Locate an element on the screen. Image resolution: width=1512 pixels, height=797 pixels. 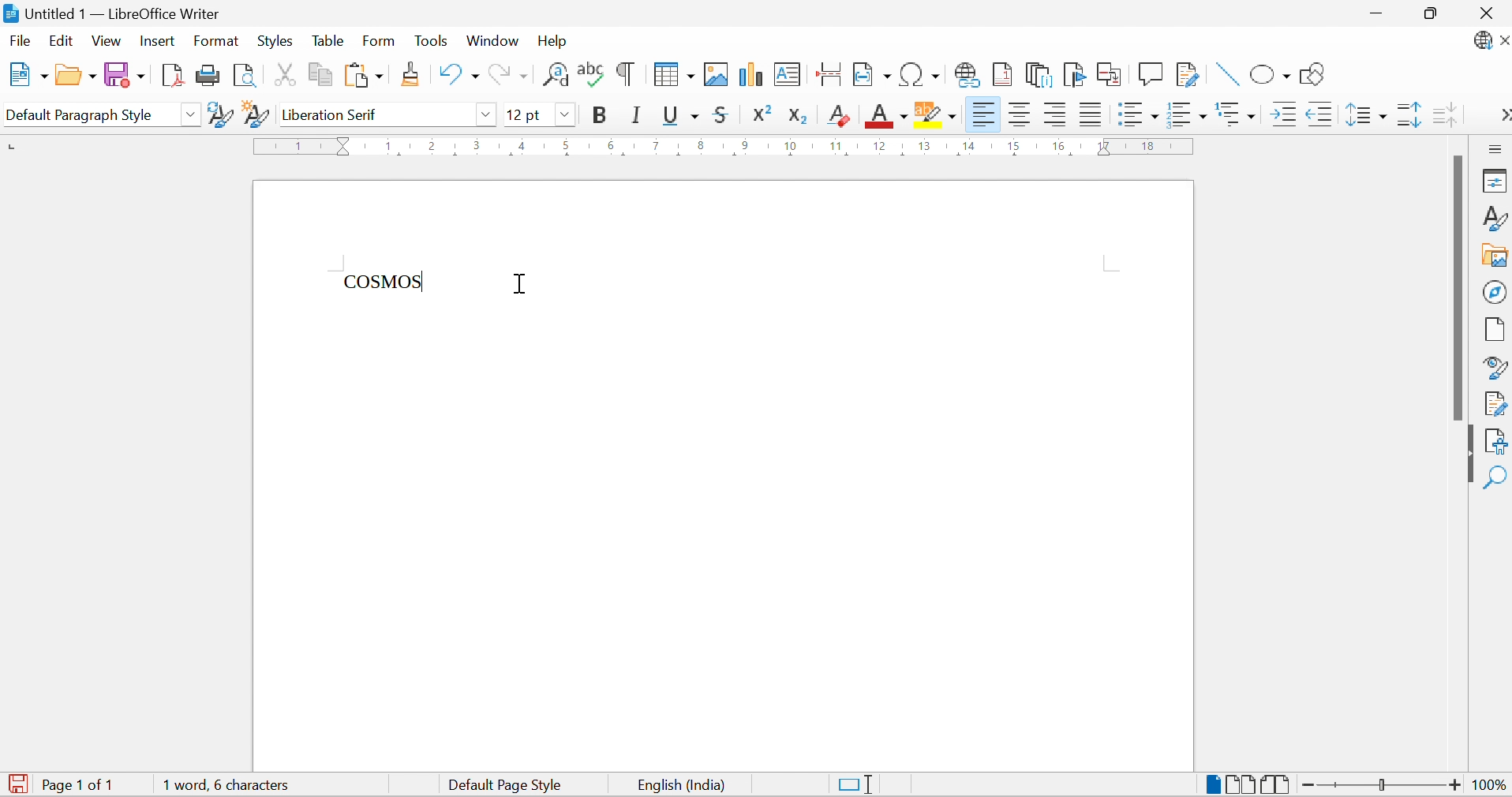
Minimize is located at coordinates (1371, 13).